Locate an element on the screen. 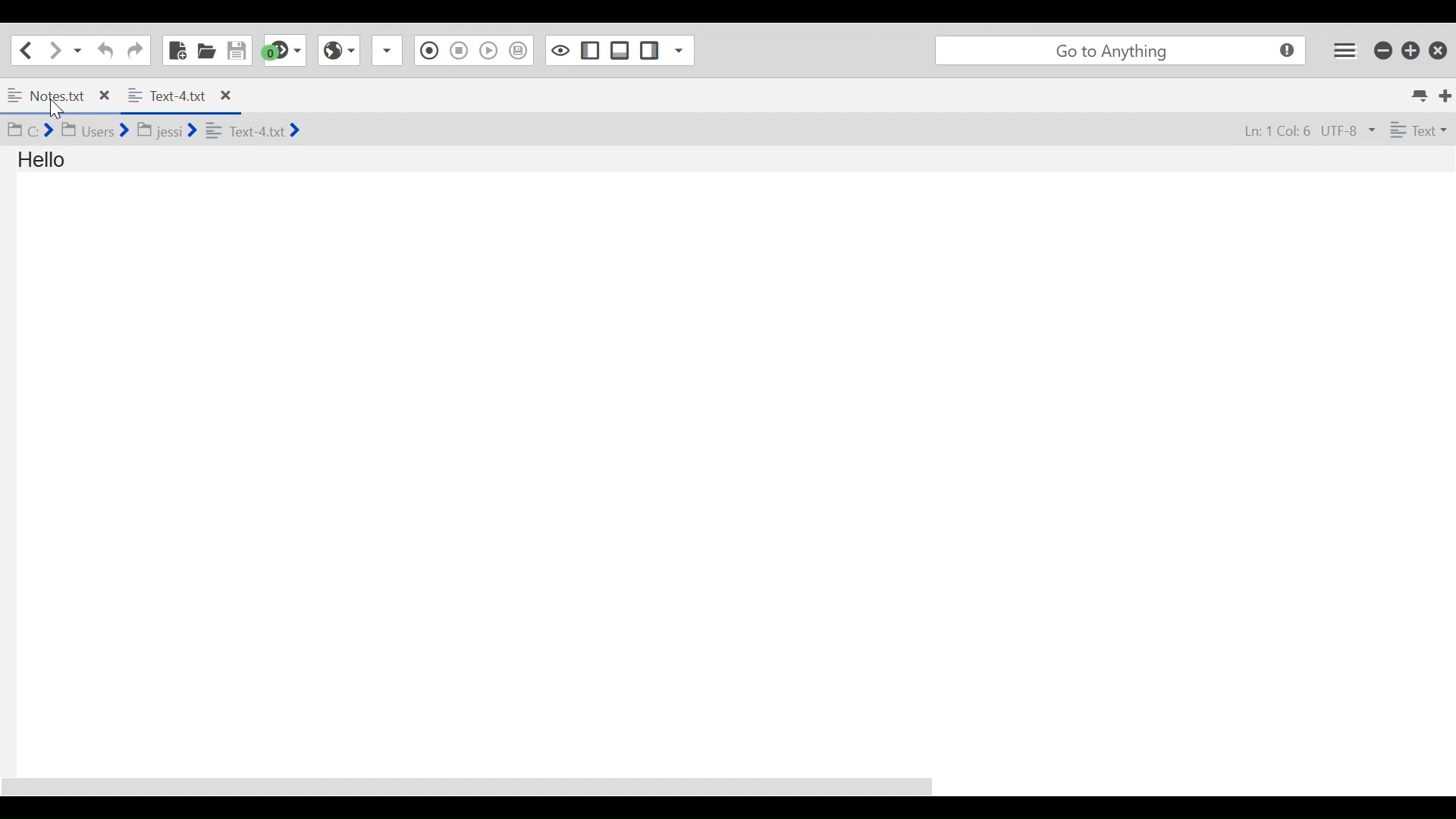  ln: 1 col:6 is located at coordinates (1269, 132).